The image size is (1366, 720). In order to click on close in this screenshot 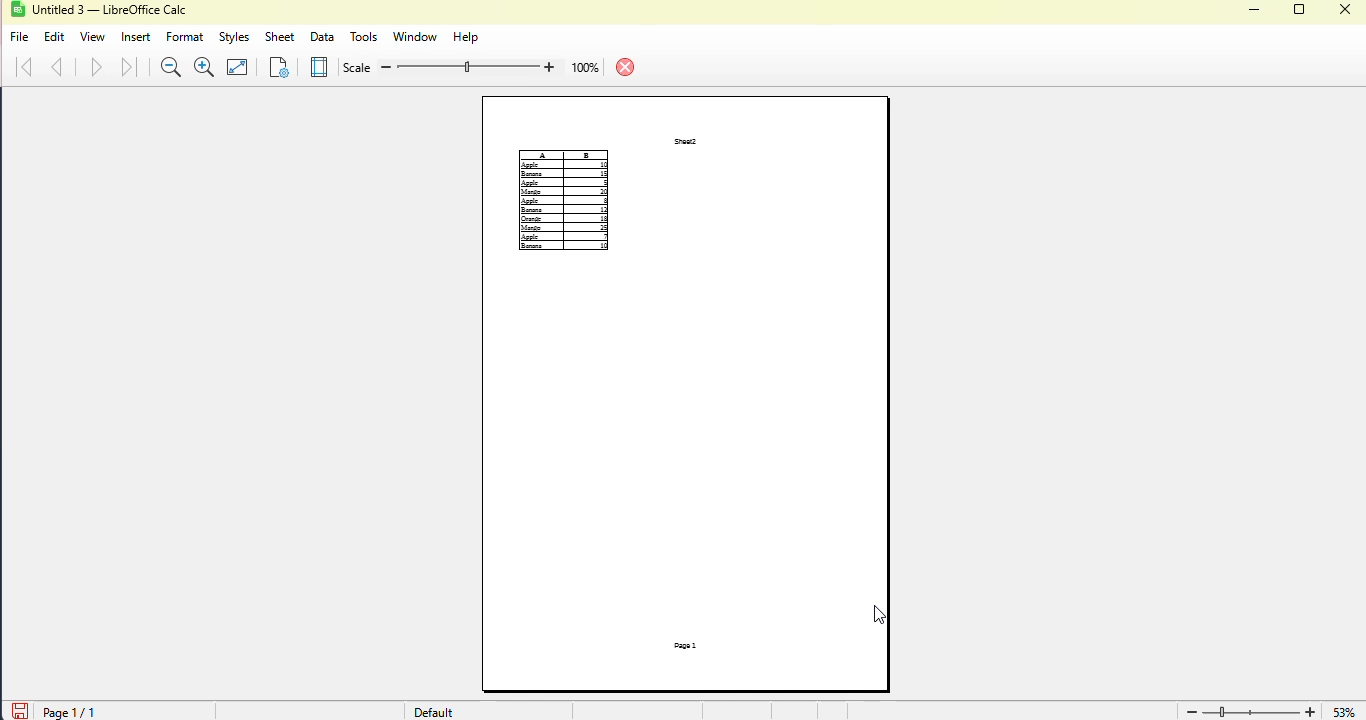, I will do `click(1346, 9)`.